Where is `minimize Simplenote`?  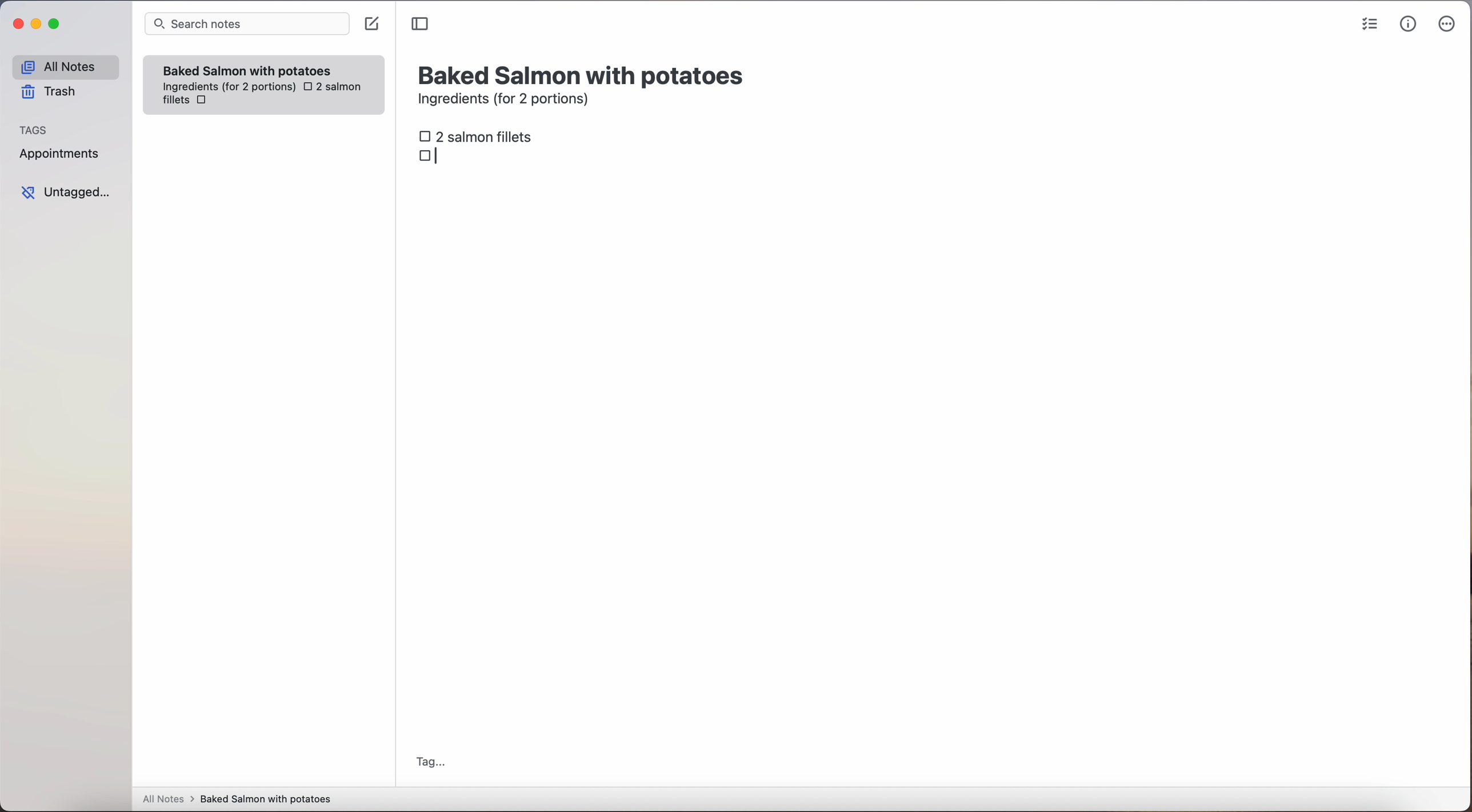
minimize Simplenote is located at coordinates (36, 25).